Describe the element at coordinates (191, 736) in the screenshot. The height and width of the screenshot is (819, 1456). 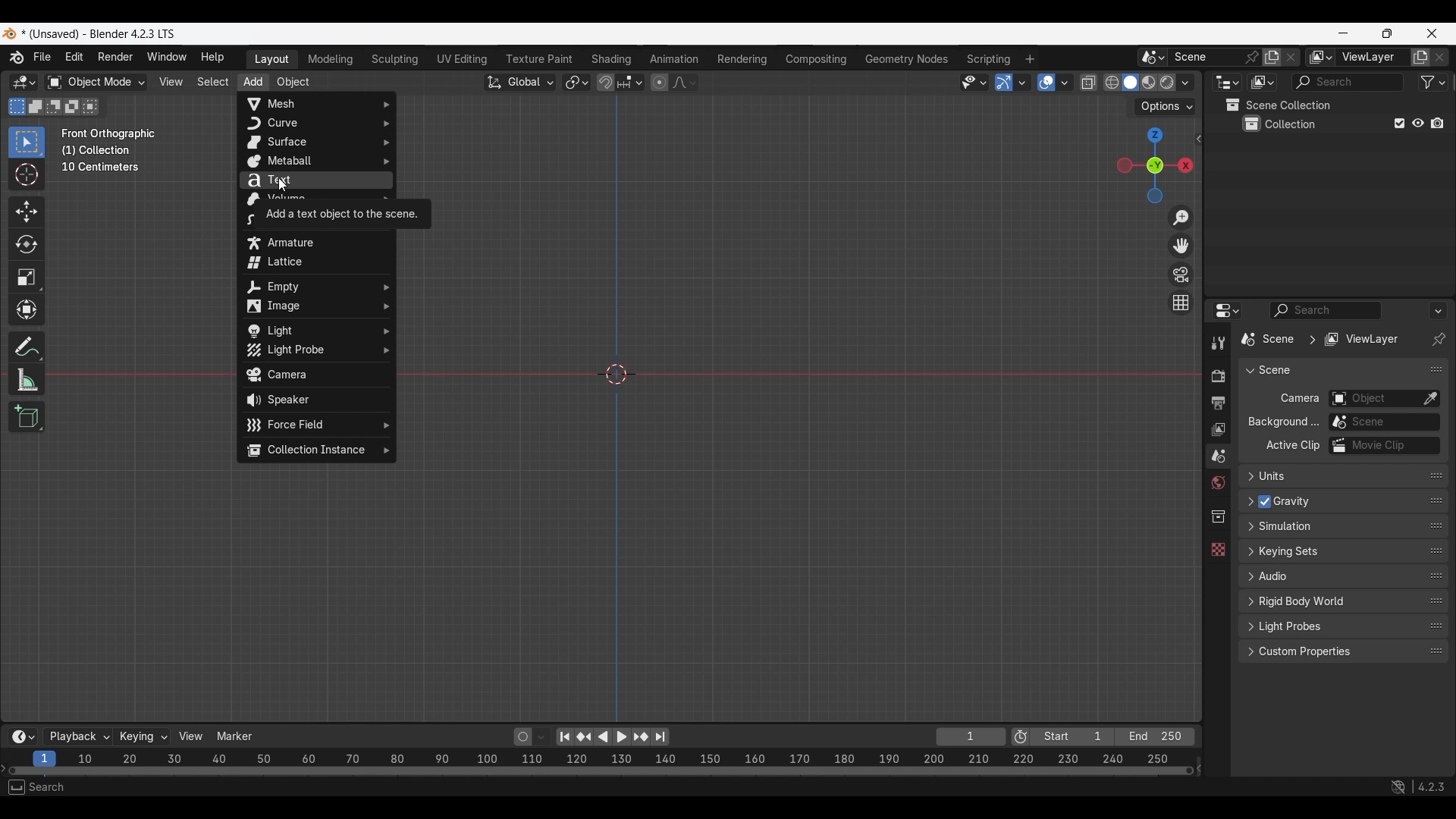
I see `View` at that location.